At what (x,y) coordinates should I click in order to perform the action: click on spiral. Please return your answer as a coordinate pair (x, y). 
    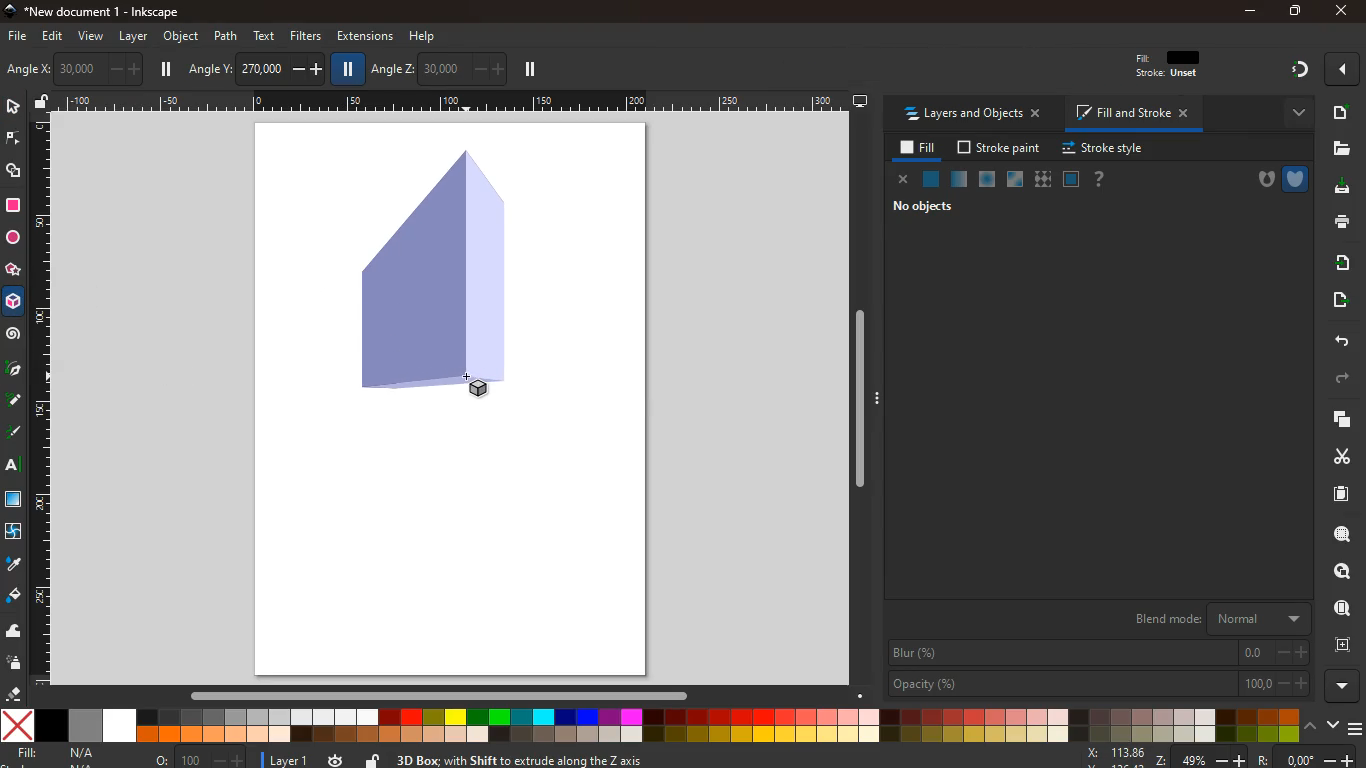
    Looking at the image, I should click on (14, 336).